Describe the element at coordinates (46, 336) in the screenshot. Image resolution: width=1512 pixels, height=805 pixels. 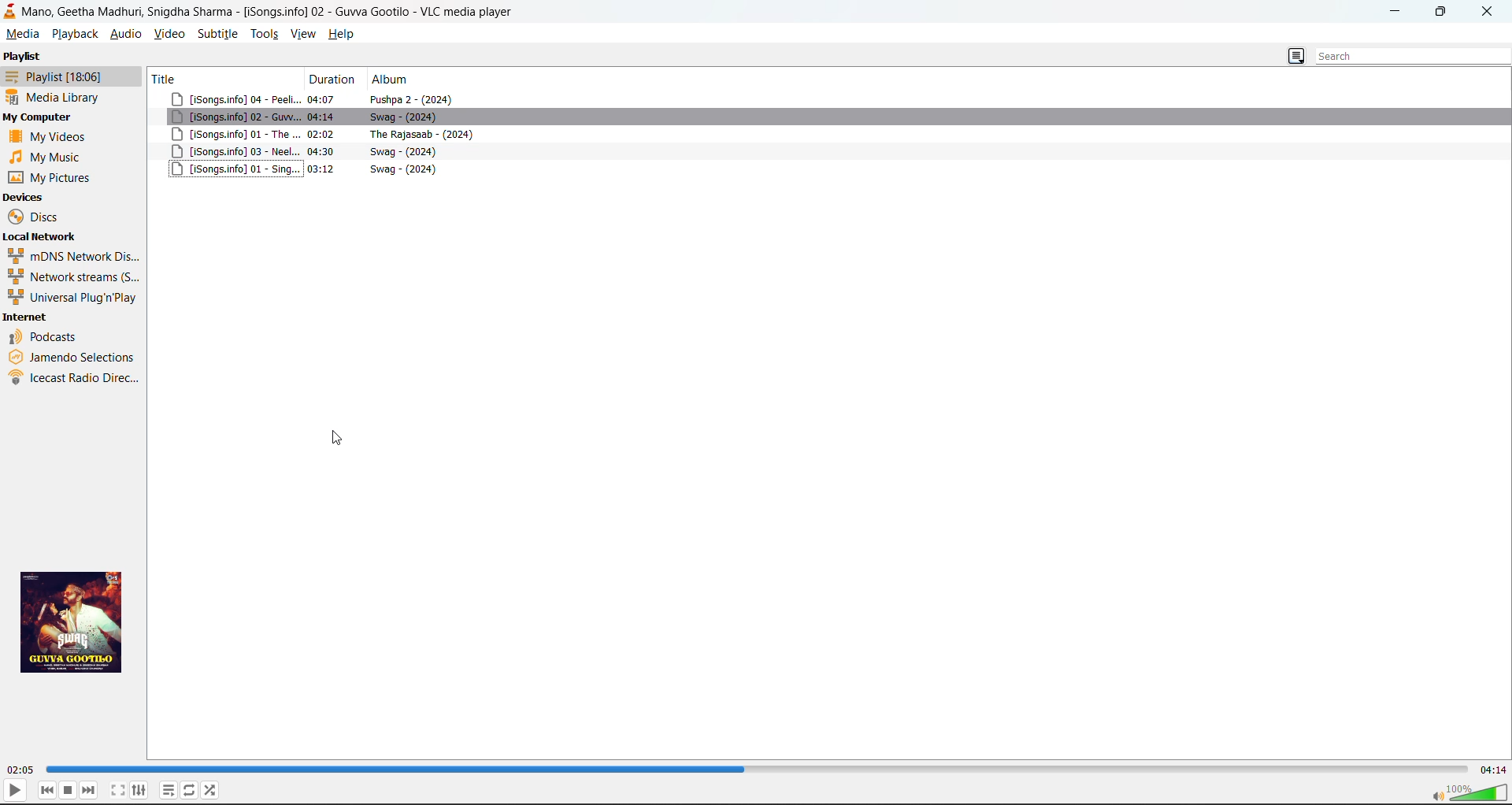
I see `podcasts` at that location.